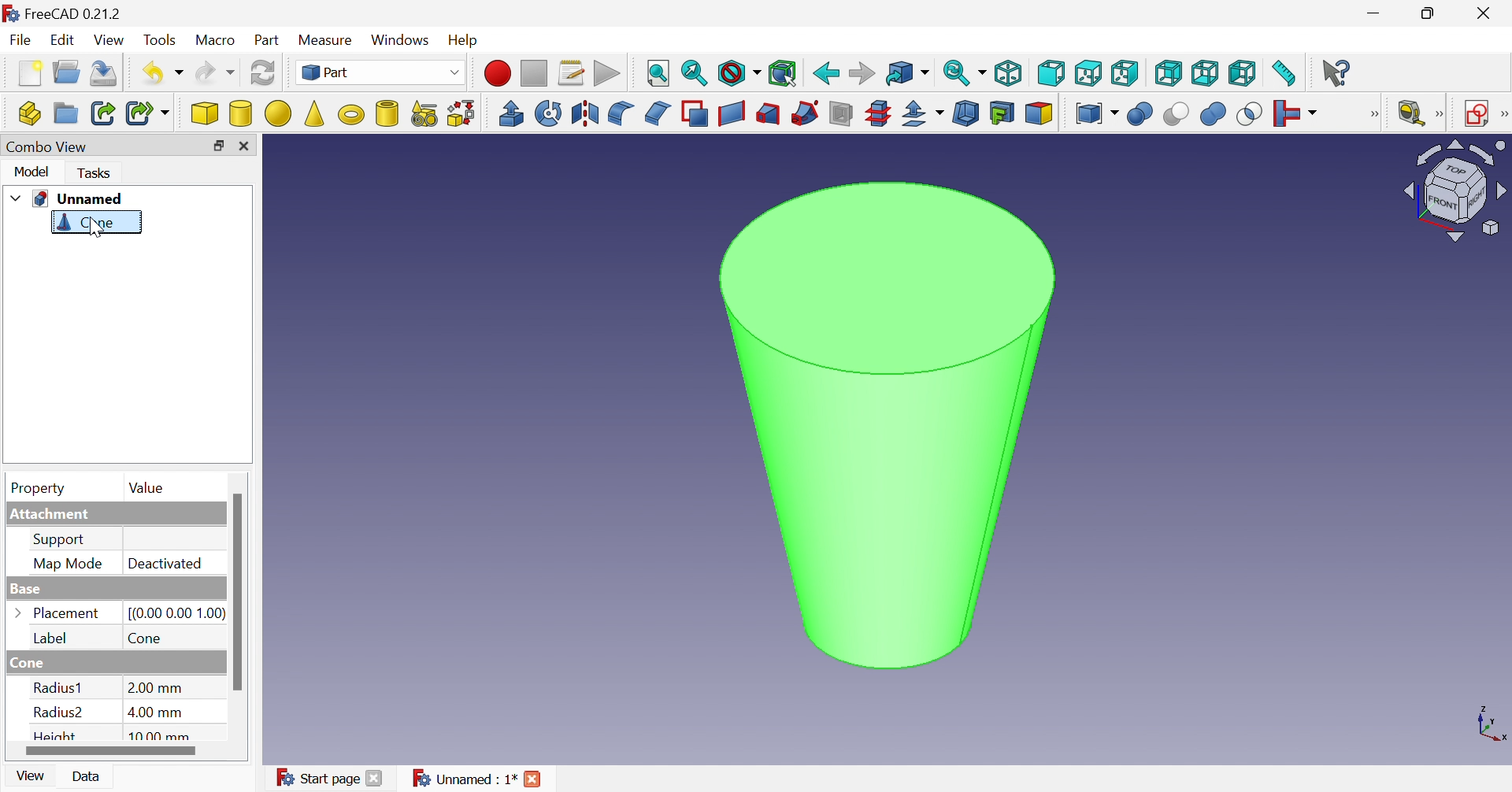 This screenshot has width=1512, height=792. Describe the element at coordinates (1299, 112) in the screenshot. I see `Join objects` at that location.